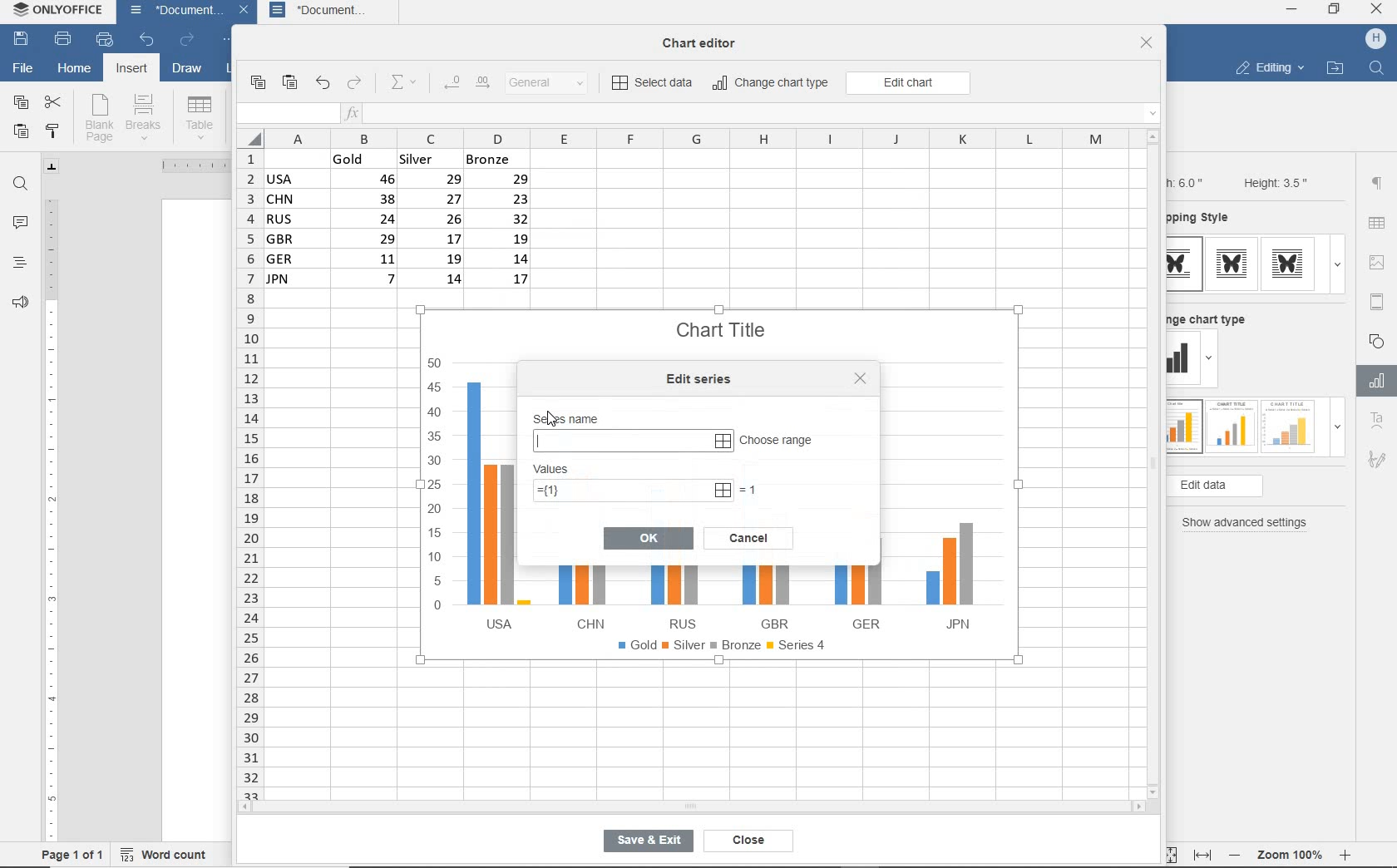  Describe the element at coordinates (553, 84) in the screenshot. I see `number format` at that location.